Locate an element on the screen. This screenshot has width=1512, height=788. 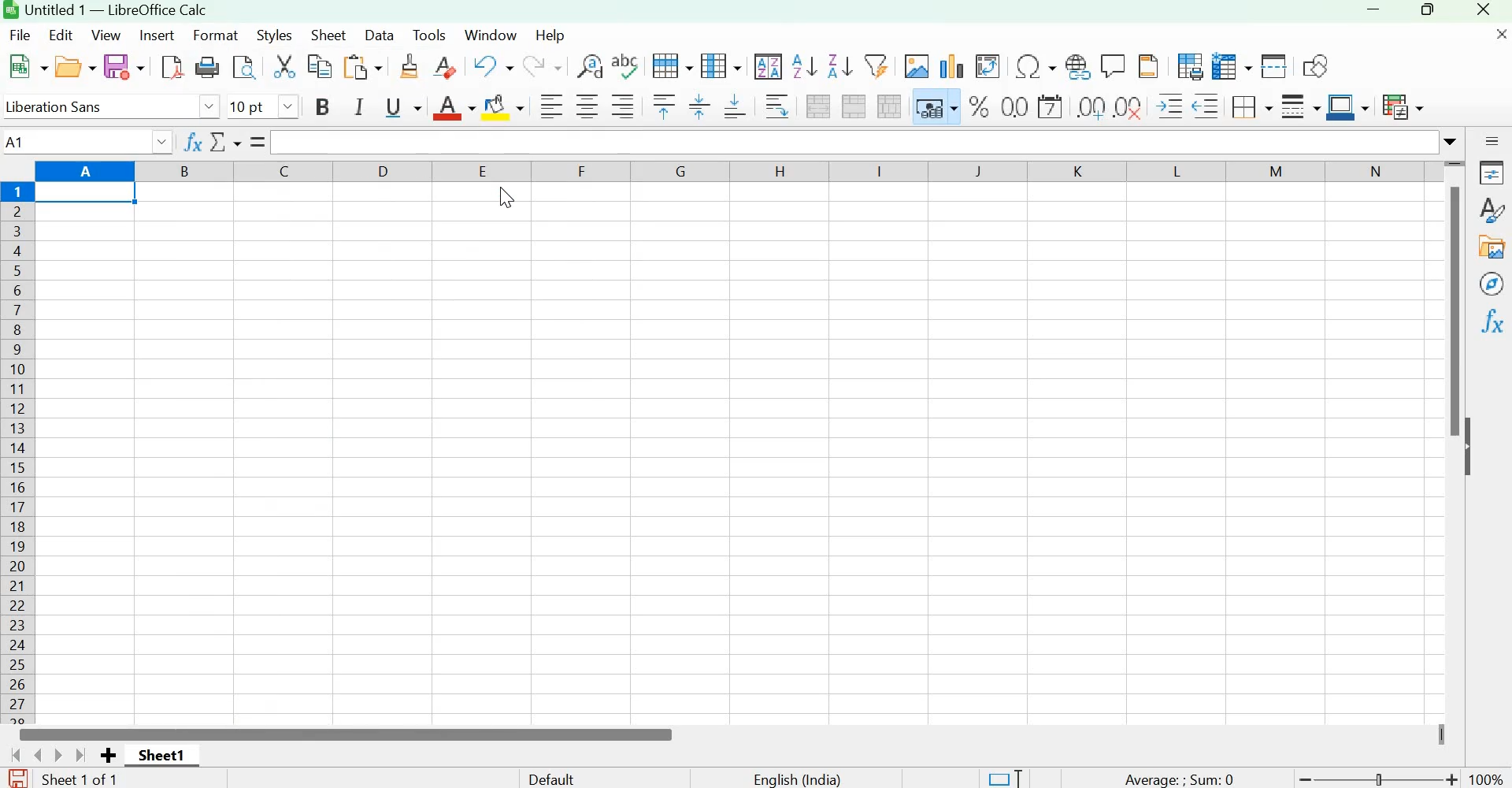
Merge cells is located at coordinates (854, 106).